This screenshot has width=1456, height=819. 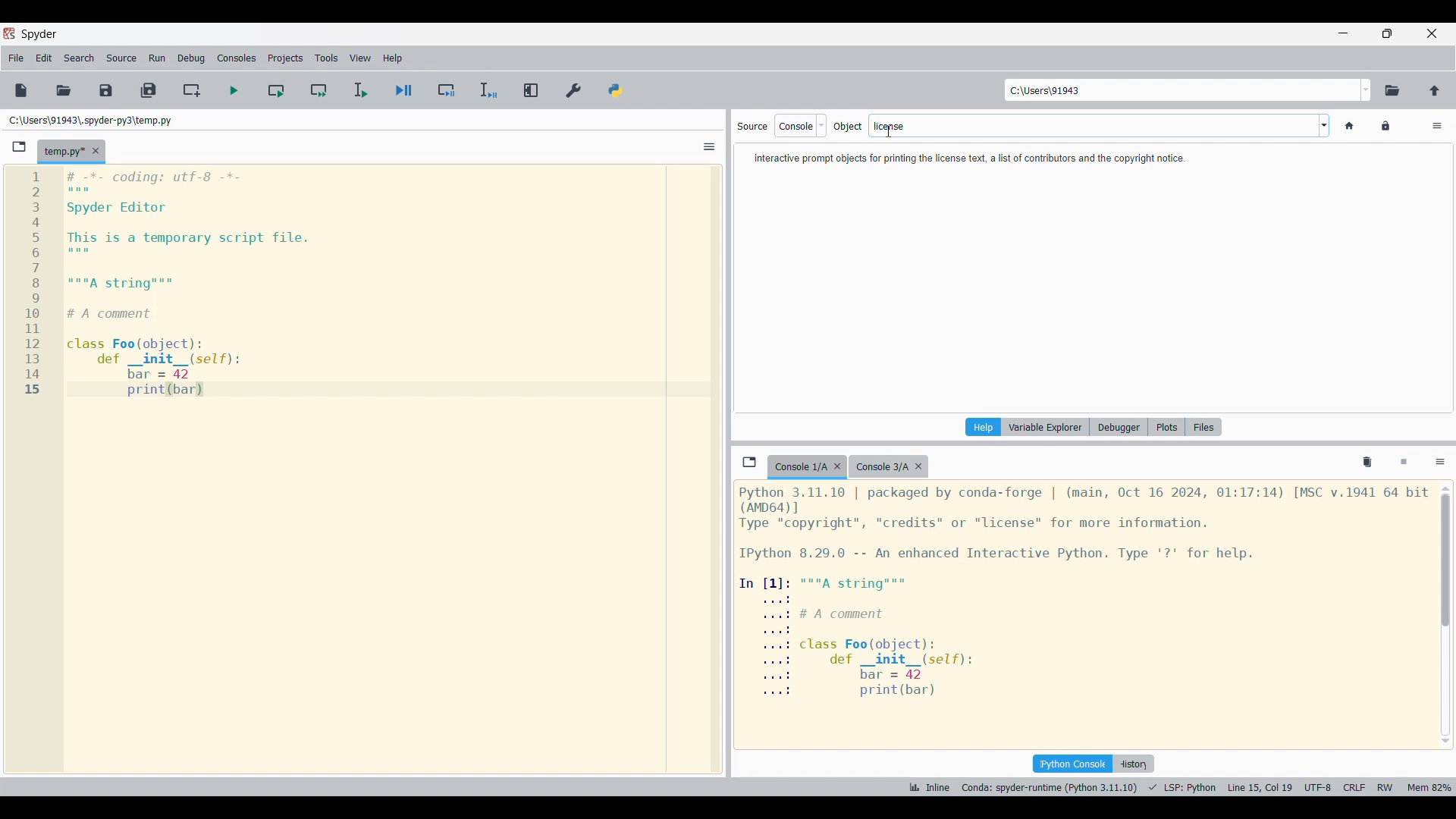 What do you see at coordinates (981, 427) in the screenshot?
I see `Help` at bounding box center [981, 427].